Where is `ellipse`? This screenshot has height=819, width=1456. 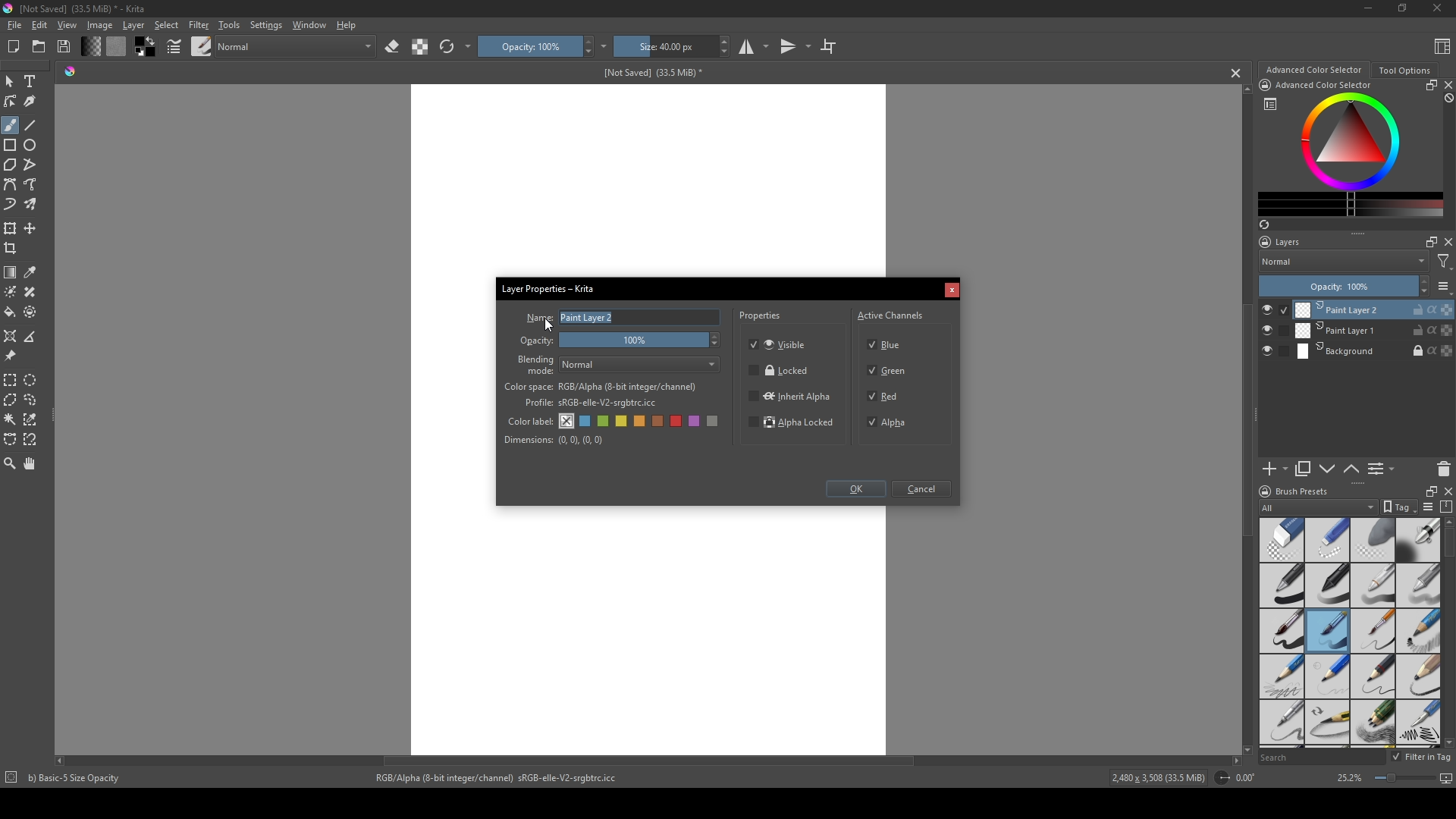
ellipse is located at coordinates (31, 145).